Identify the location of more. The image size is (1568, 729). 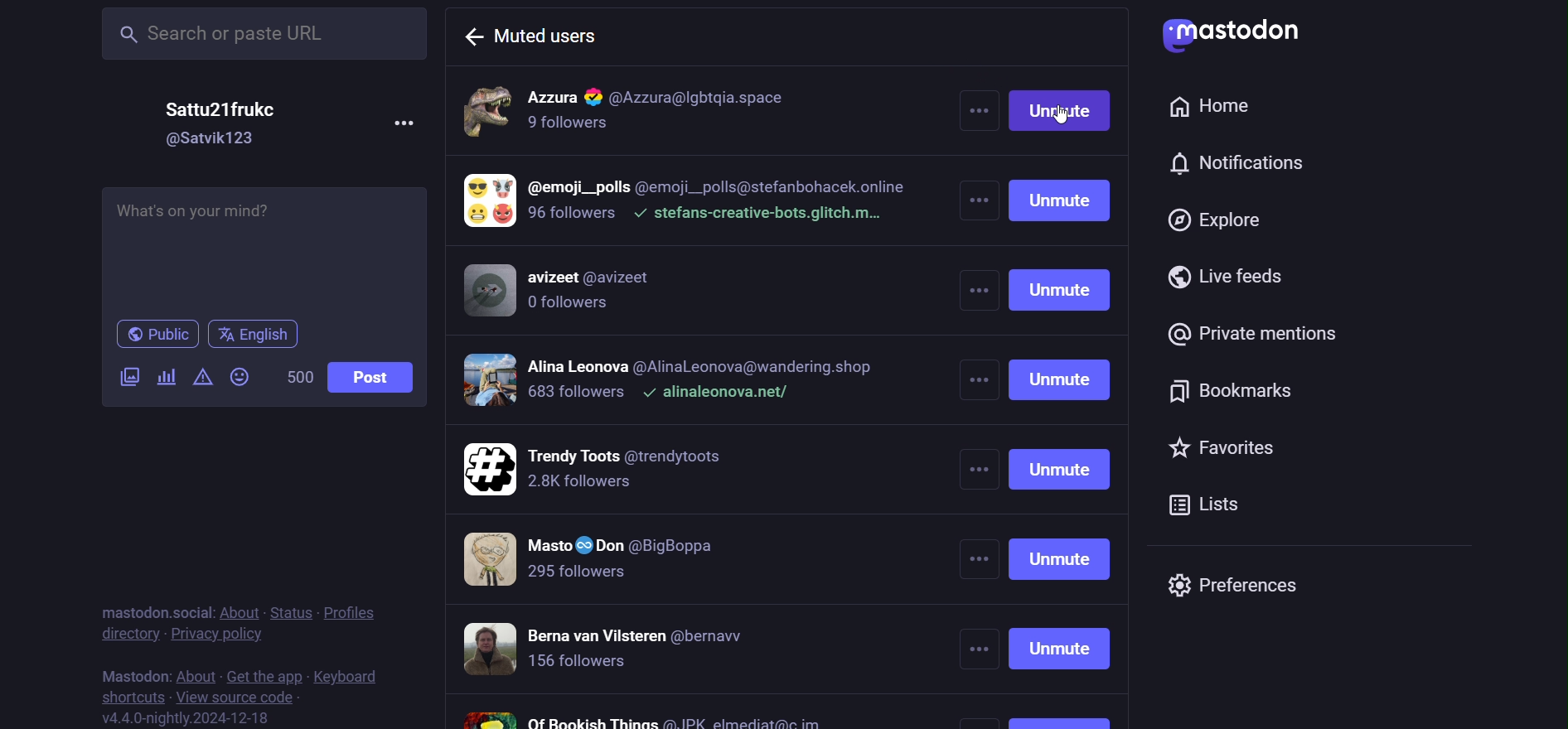
(976, 404).